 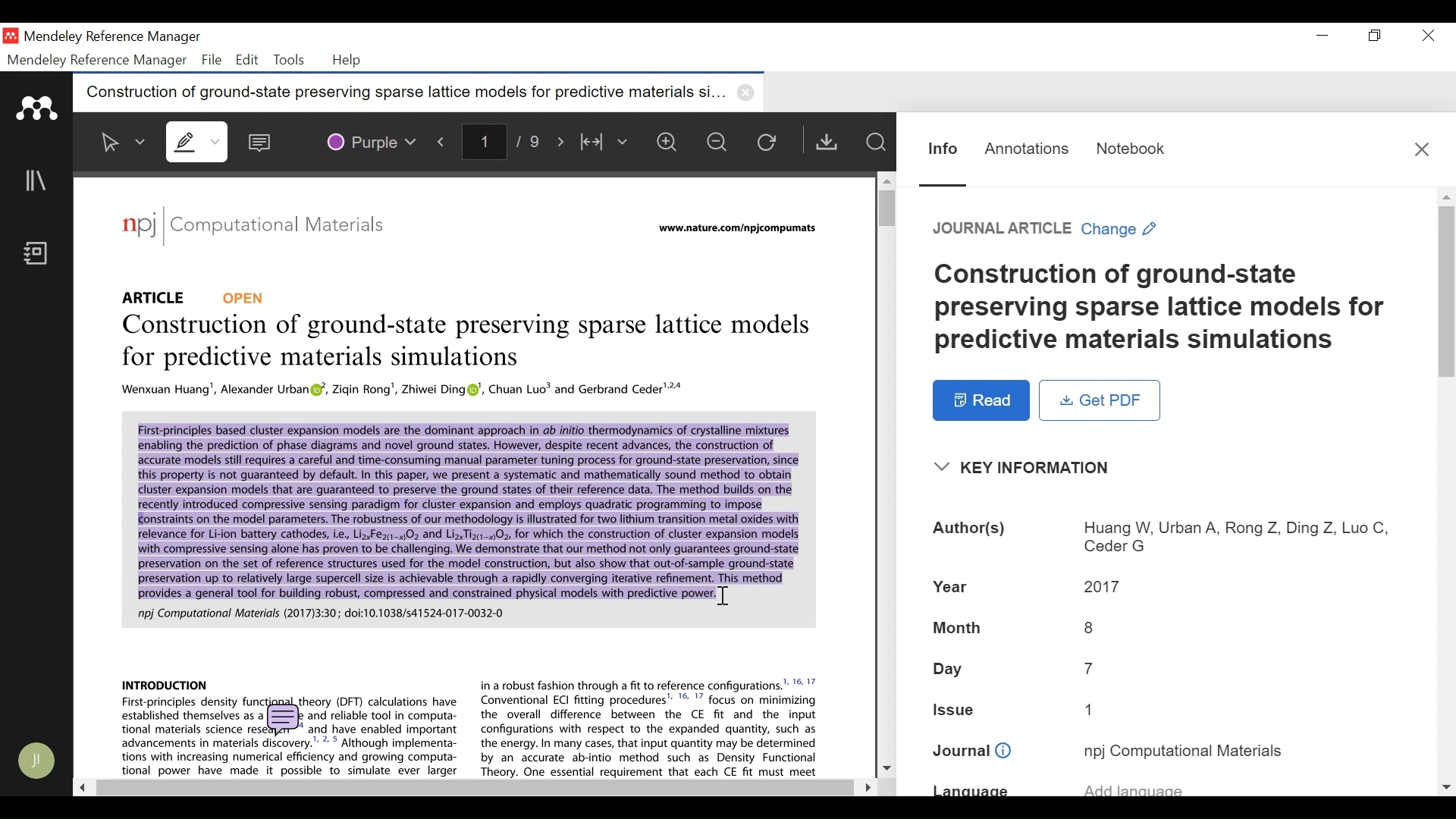 I want to click on Next Page, so click(x=563, y=140).